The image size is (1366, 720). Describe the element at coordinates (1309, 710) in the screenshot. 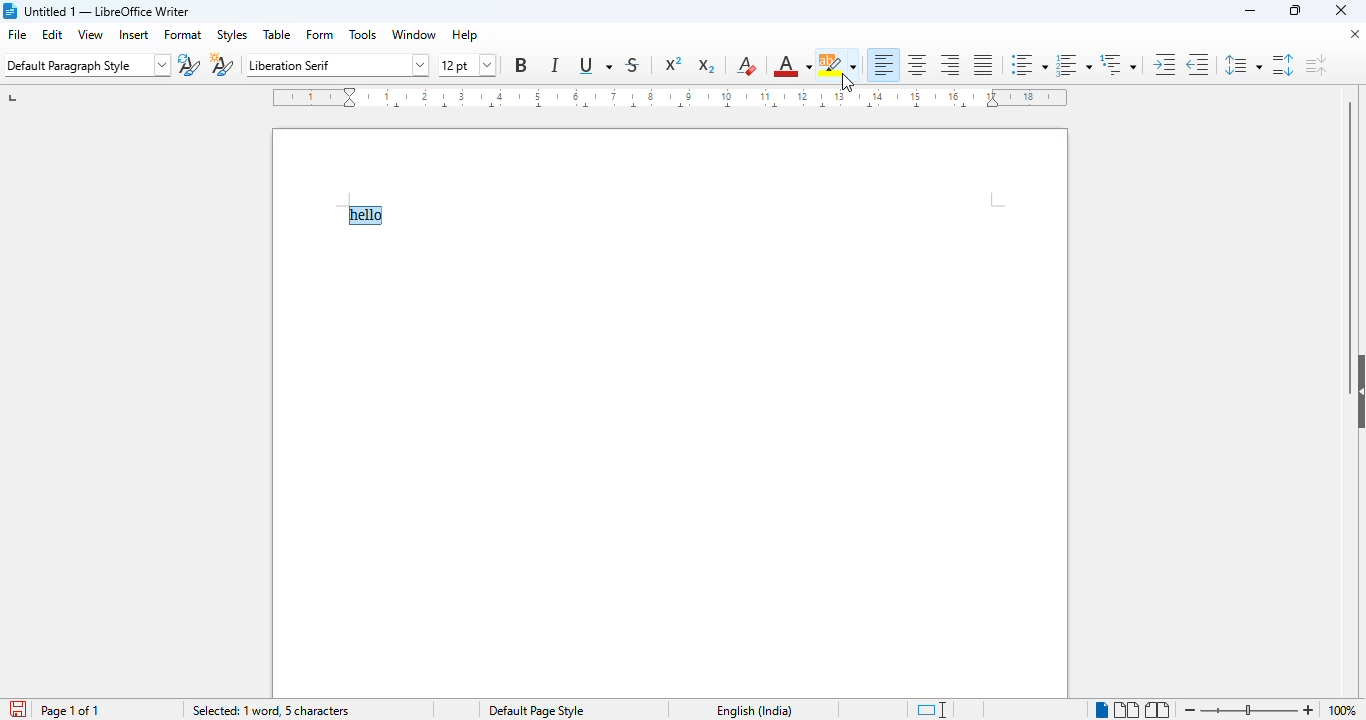

I see `zoom in` at that location.